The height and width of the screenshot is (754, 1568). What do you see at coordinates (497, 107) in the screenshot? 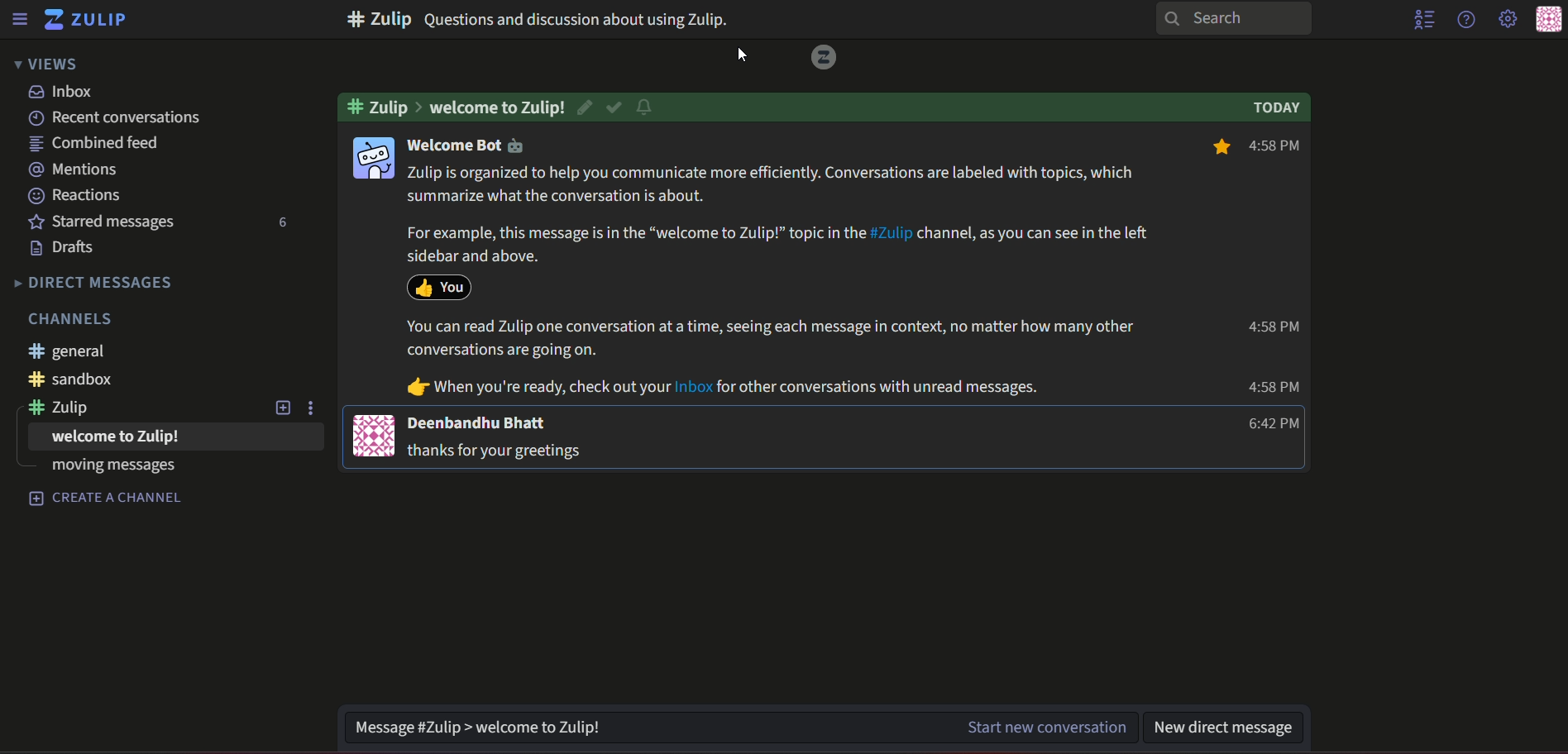
I see `welcome to Zulip!` at bounding box center [497, 107].